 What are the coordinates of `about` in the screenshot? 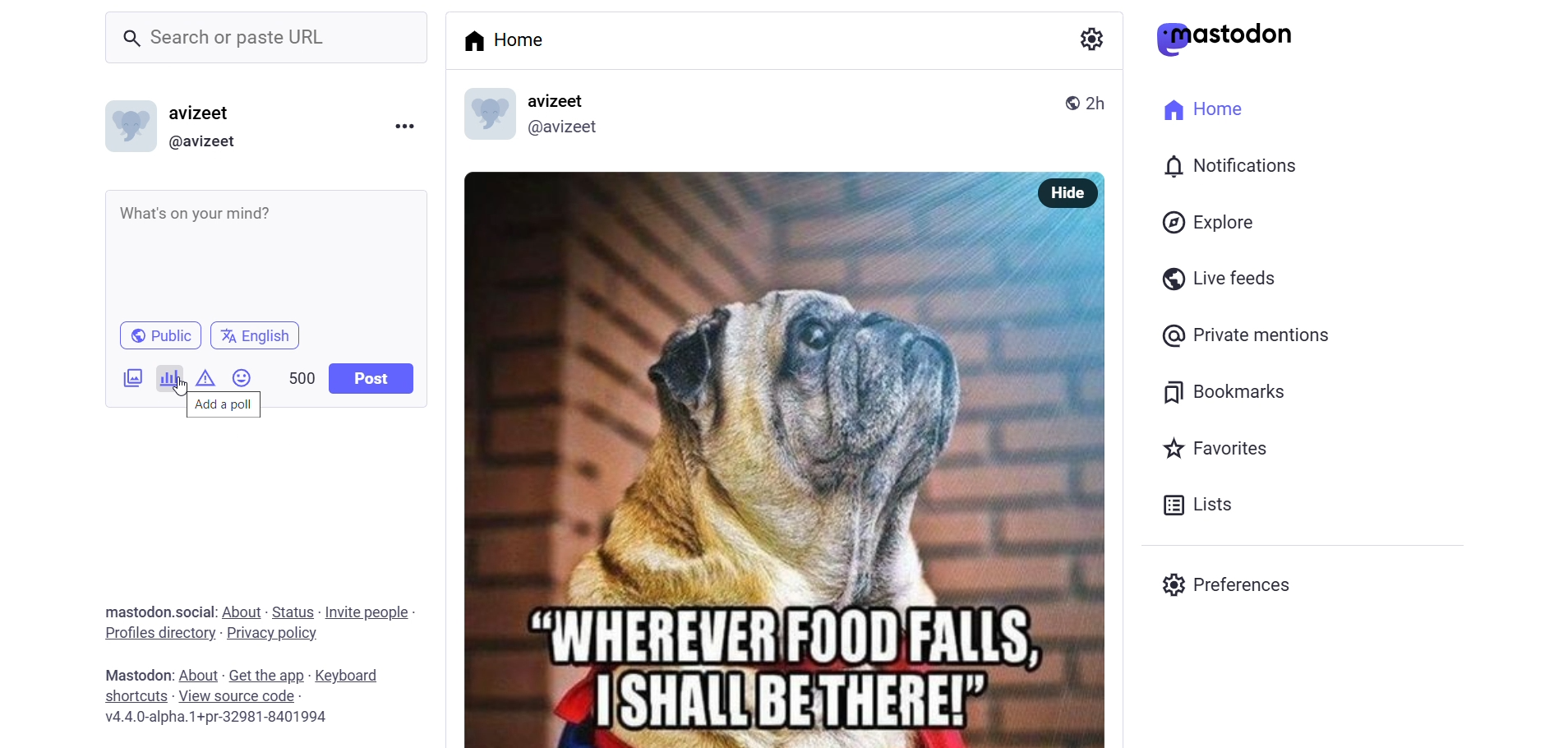 It's located at (196, 676).